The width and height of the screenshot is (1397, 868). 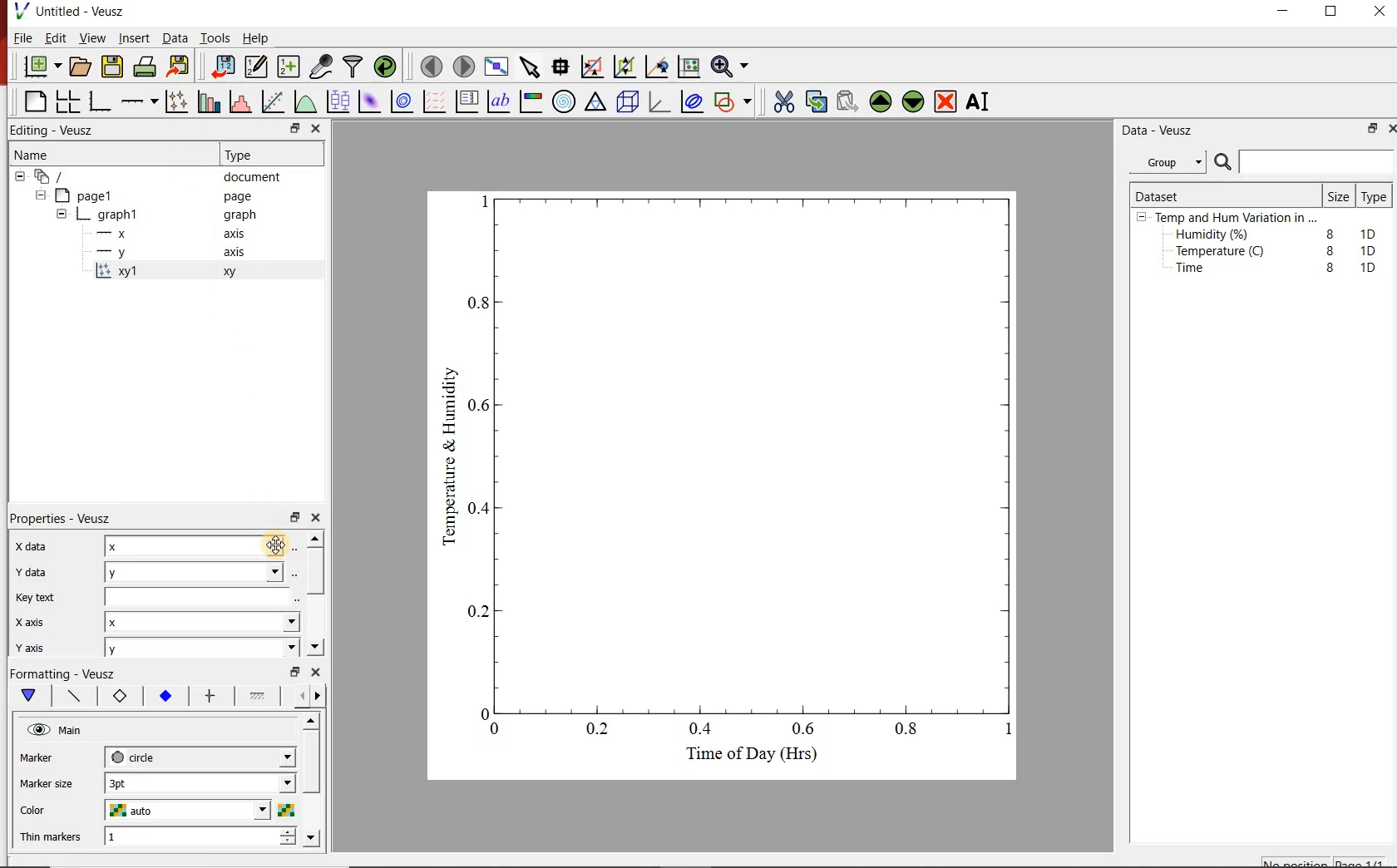 What do you see at coordinates (481, 508) in the screenshot?
I see `0.4` at bounding box center [481, 508].